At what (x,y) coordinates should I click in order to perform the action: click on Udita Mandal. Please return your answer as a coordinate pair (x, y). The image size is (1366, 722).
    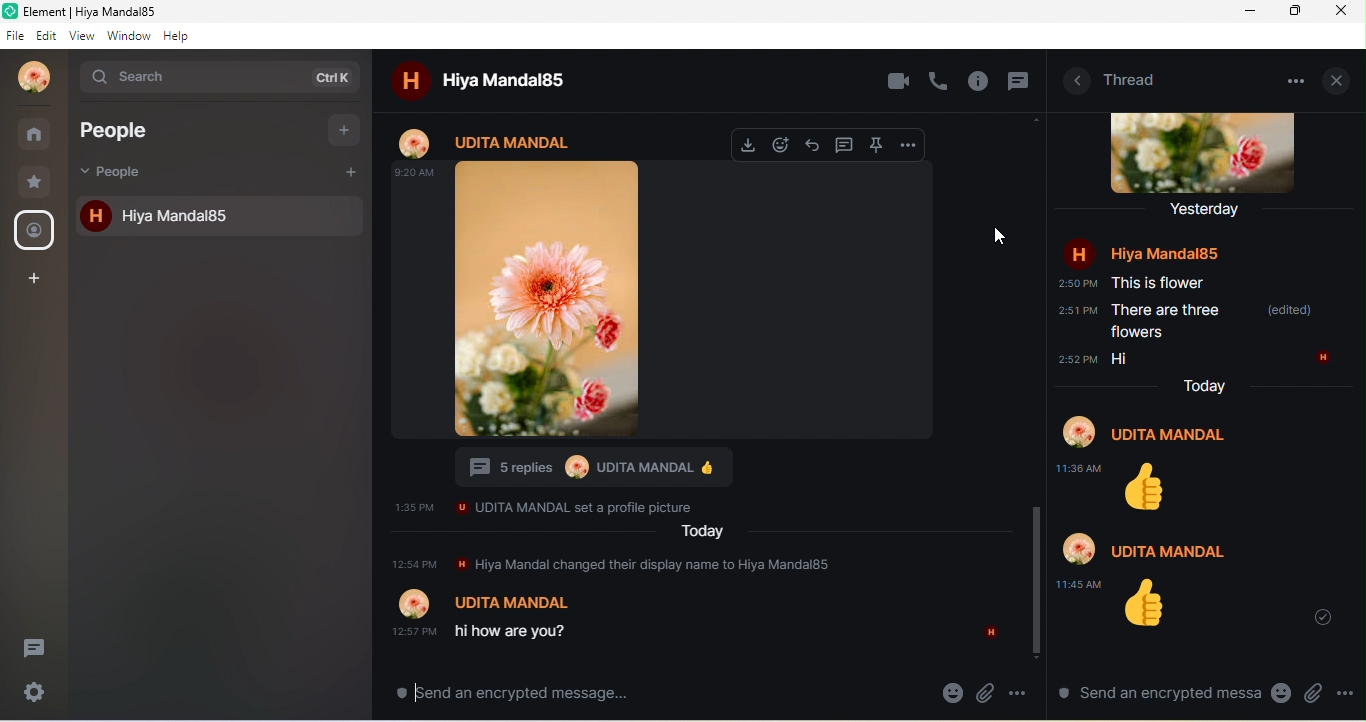
    Looking at the image, I should click on (646, 467).